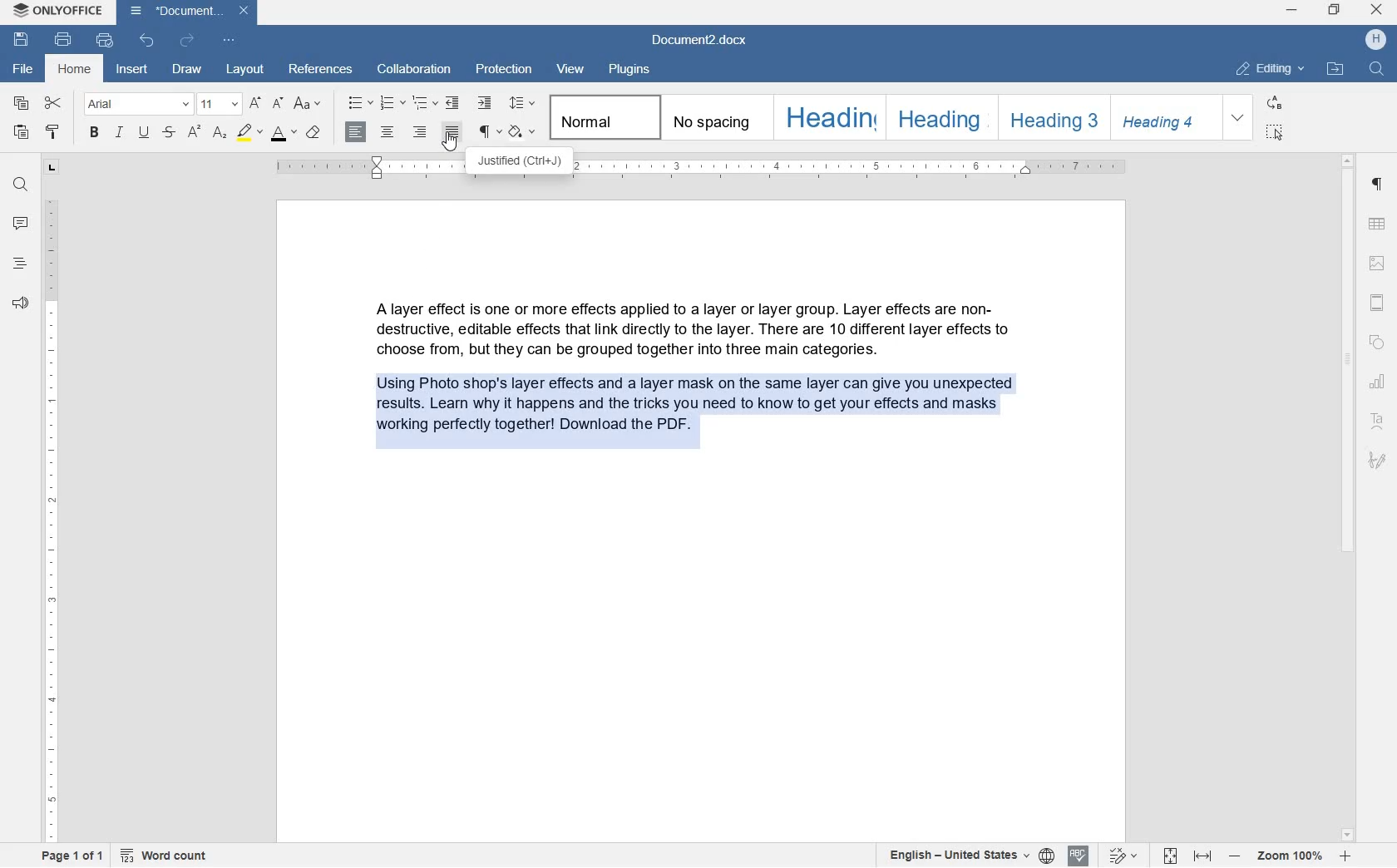  I want to click on PARAGRAPH SETTINGS, so click(1380, 186).